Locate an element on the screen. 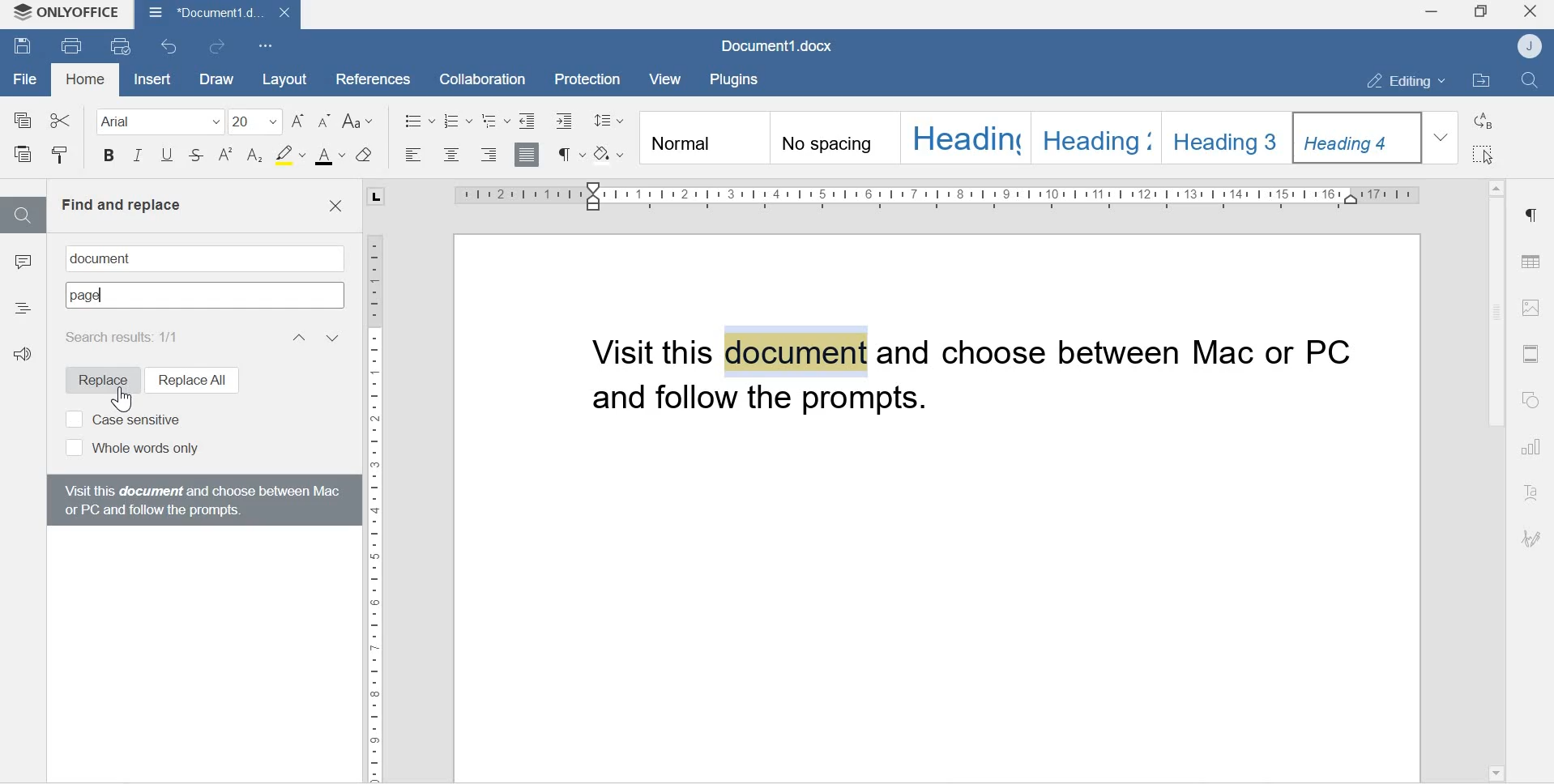  View is located at coordinates (668, 79).